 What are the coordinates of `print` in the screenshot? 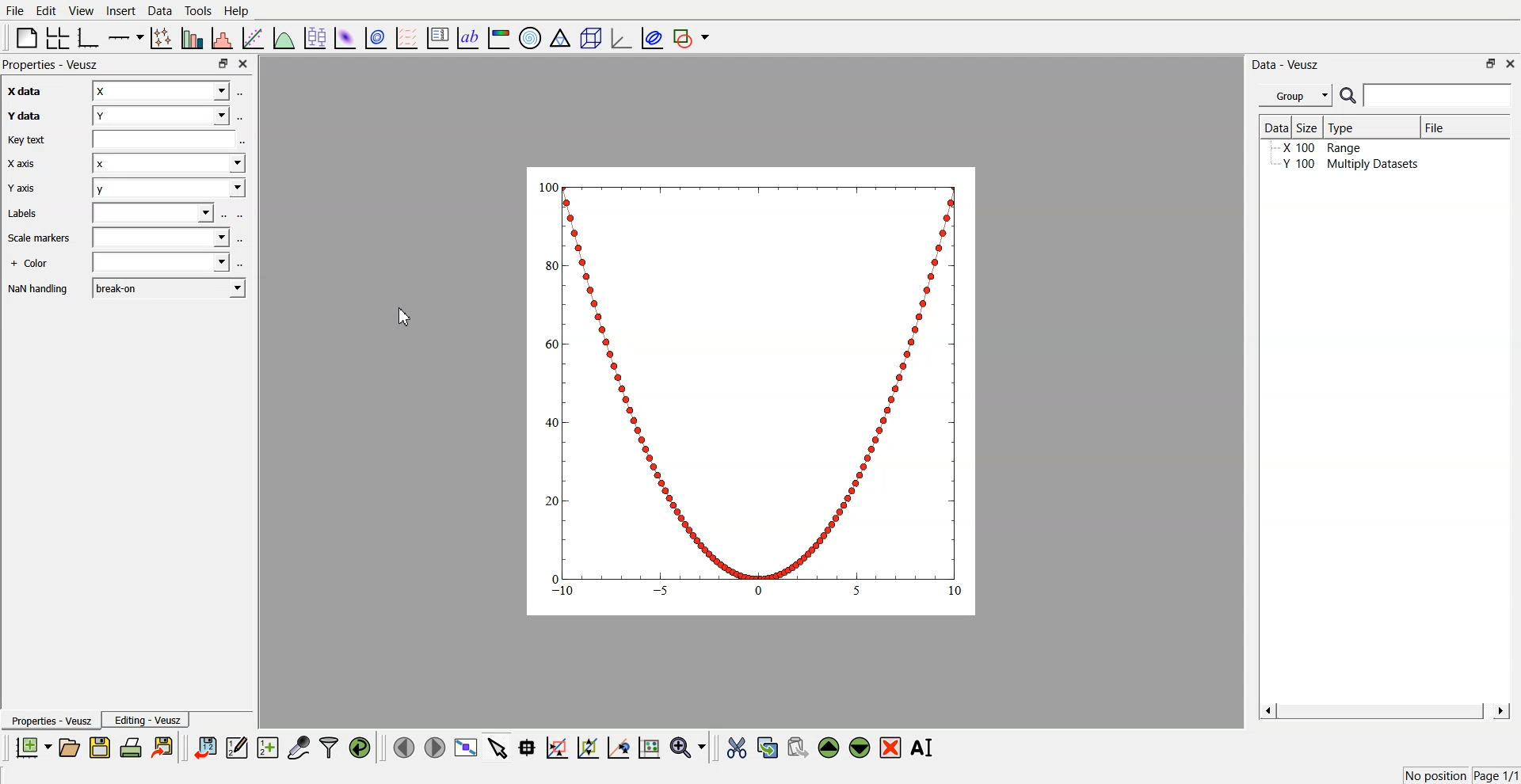 It's located at (135, 747).